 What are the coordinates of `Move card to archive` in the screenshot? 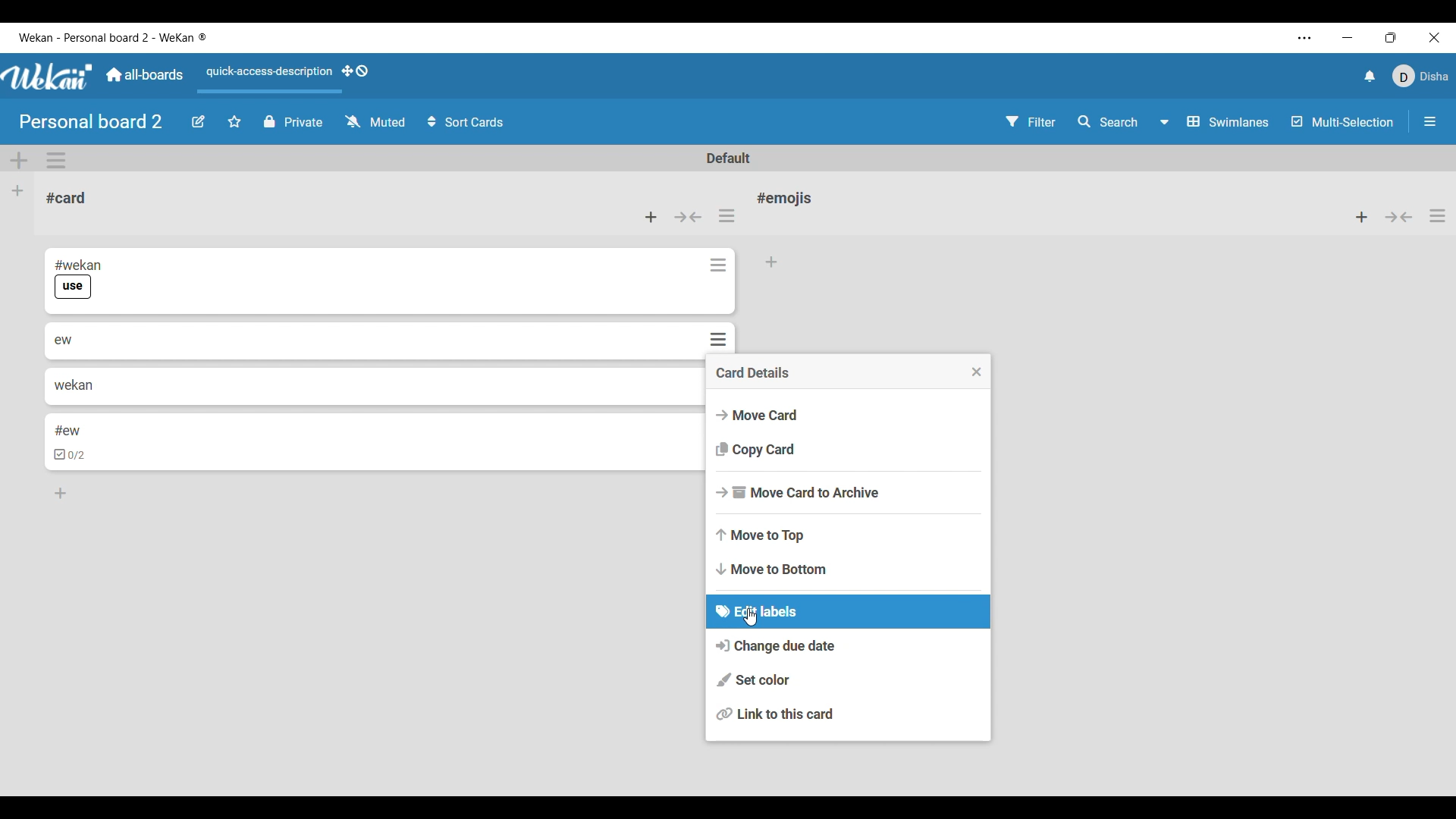 It's located at (849, 493).